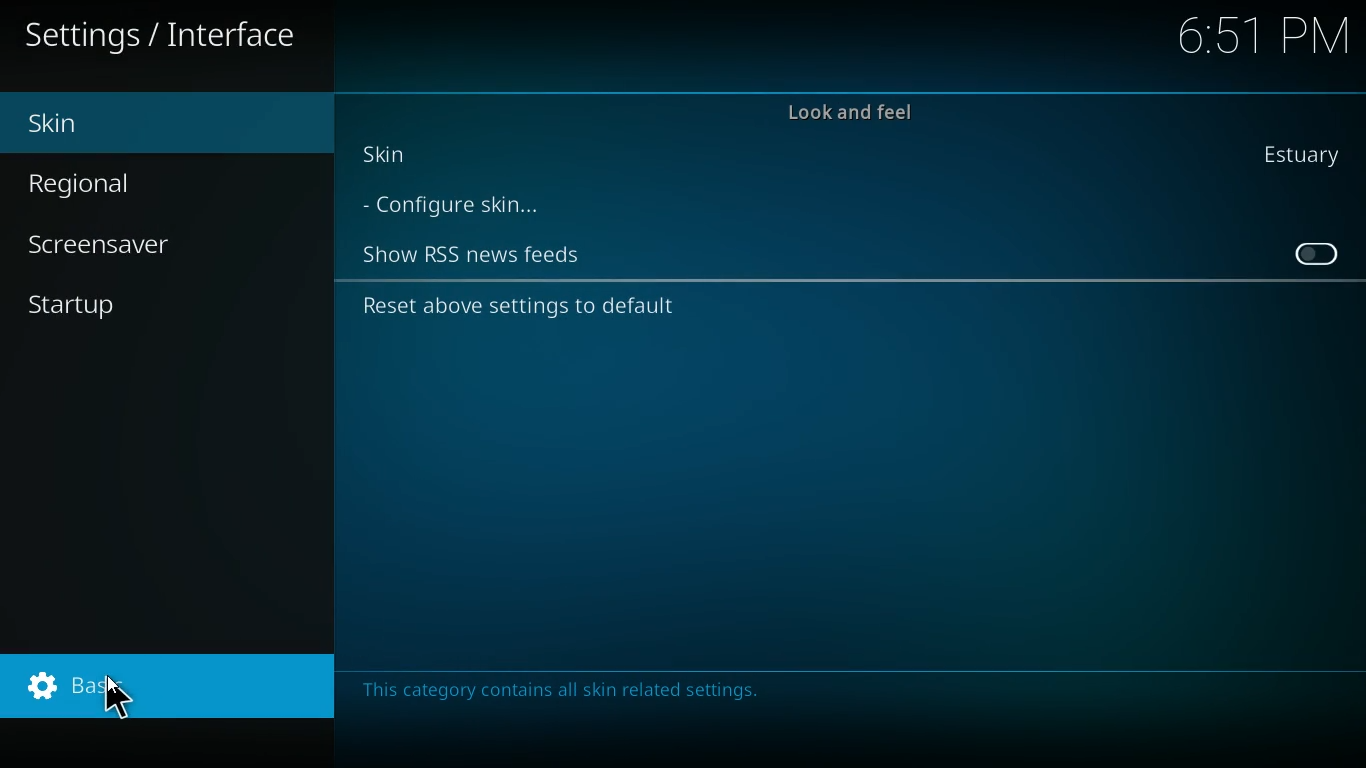  Describe the element at coordinates (1261, 35) in the screenshot. I see `time` at that location.